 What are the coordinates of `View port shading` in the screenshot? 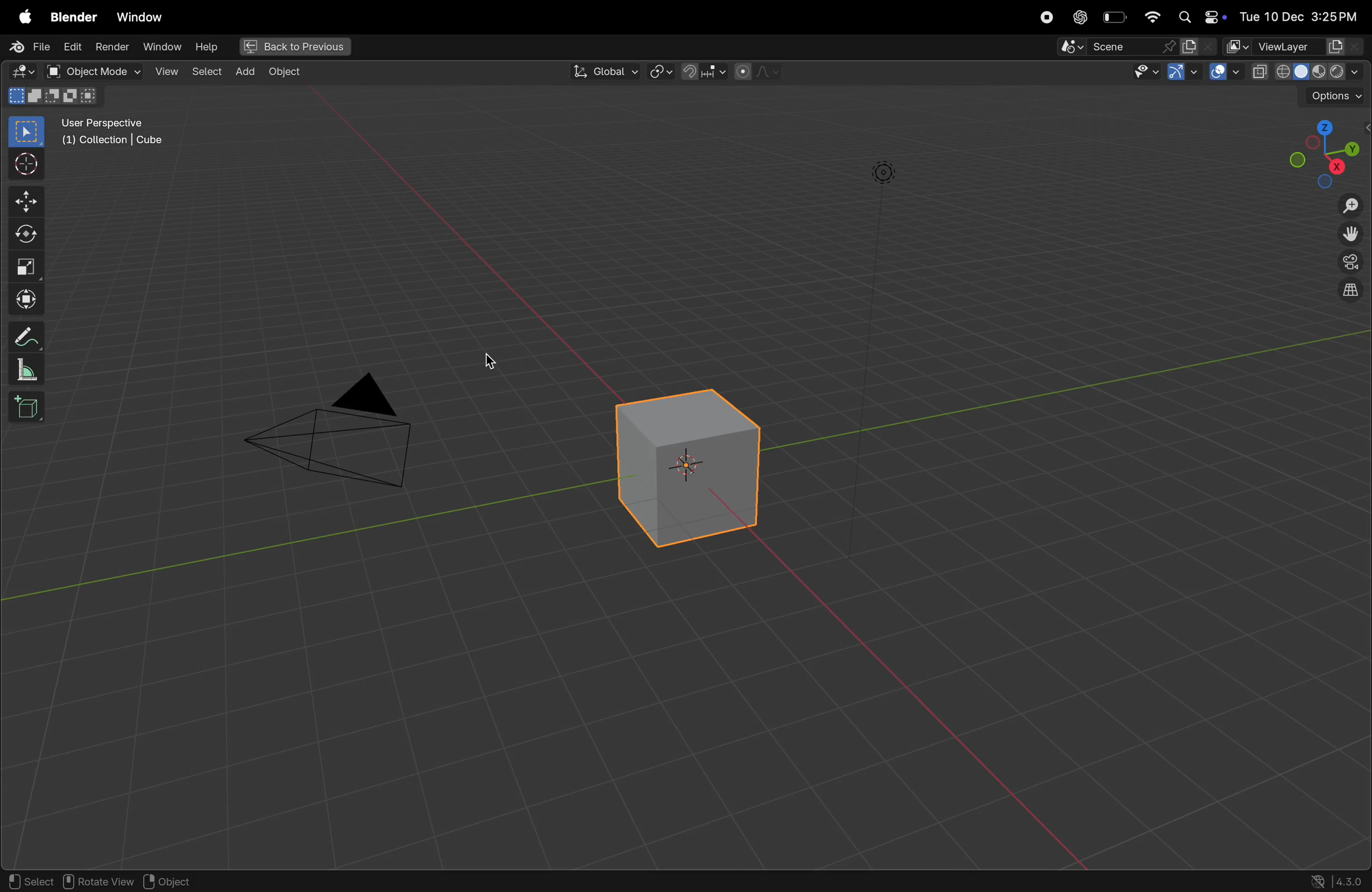 It's located at (1307, 71).